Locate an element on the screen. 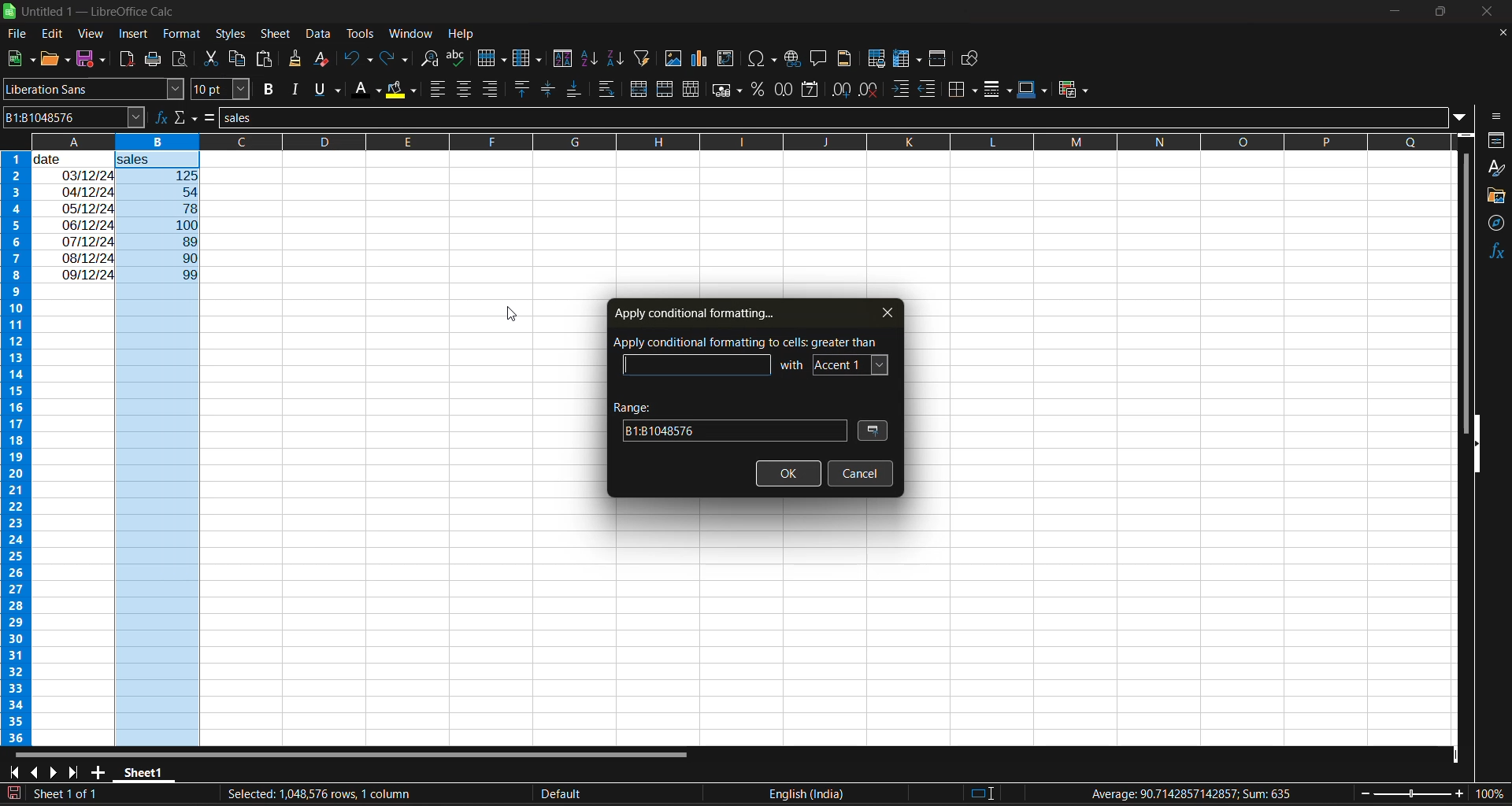  paste is located at coordinates (267, 59).